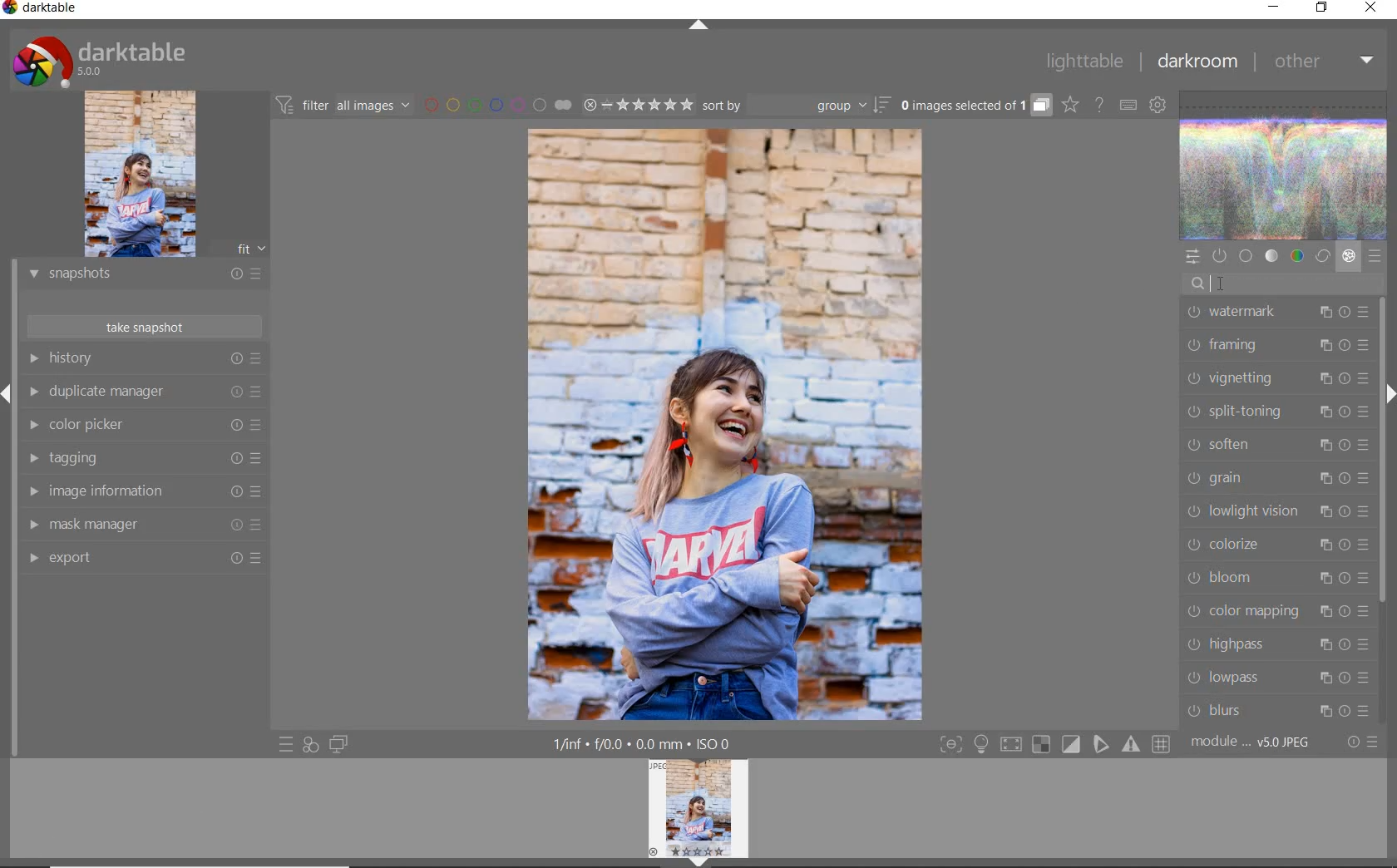 The width and height of the screenshot is (1397, 868). Describe the element at coordinates (797, 107) in the screenshot. I see `sort` at that location.